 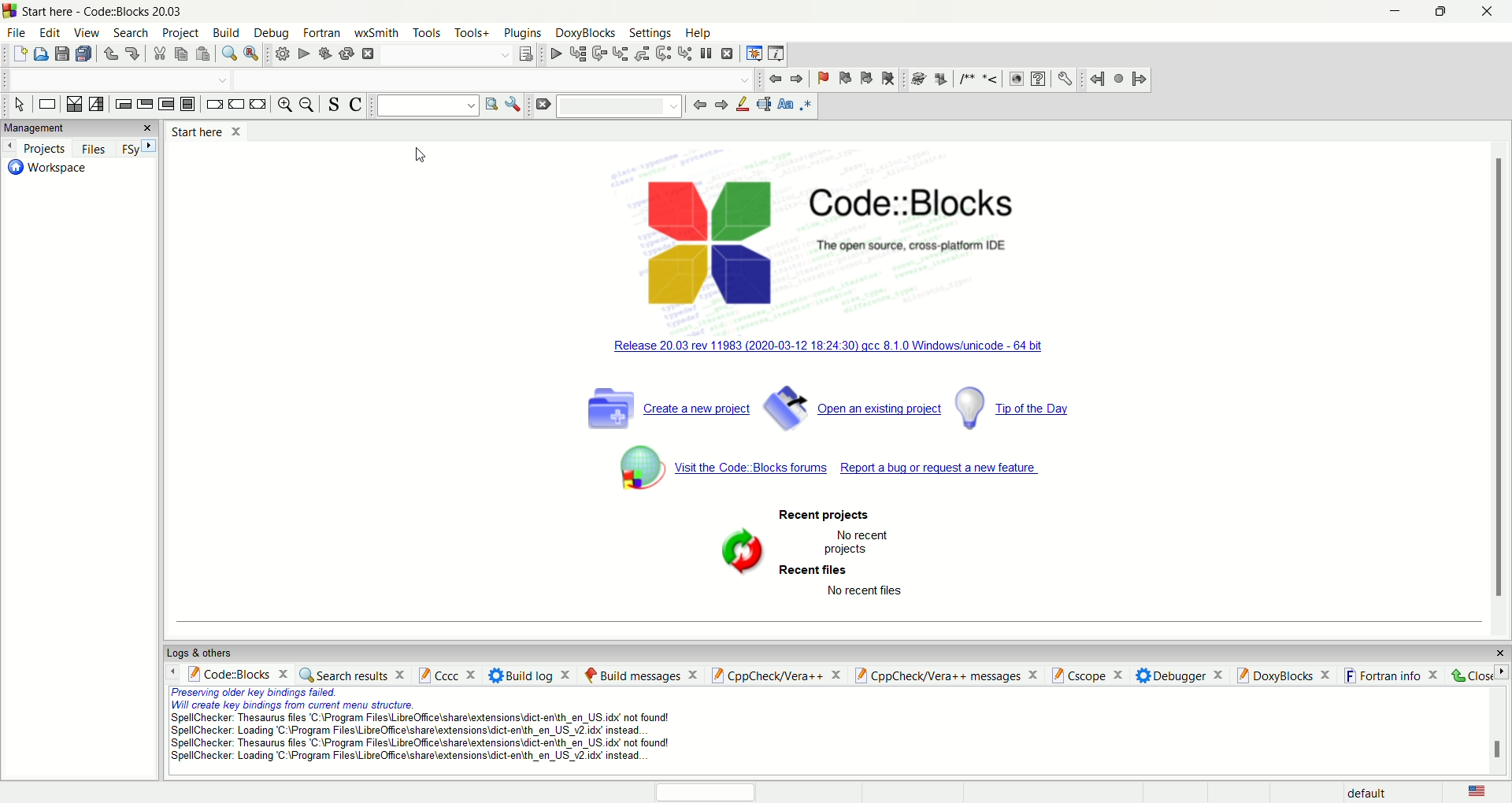 What do you see at coordinates (180, 54) in the screenshot?
I see `copy` at bounding box center [180, 54].